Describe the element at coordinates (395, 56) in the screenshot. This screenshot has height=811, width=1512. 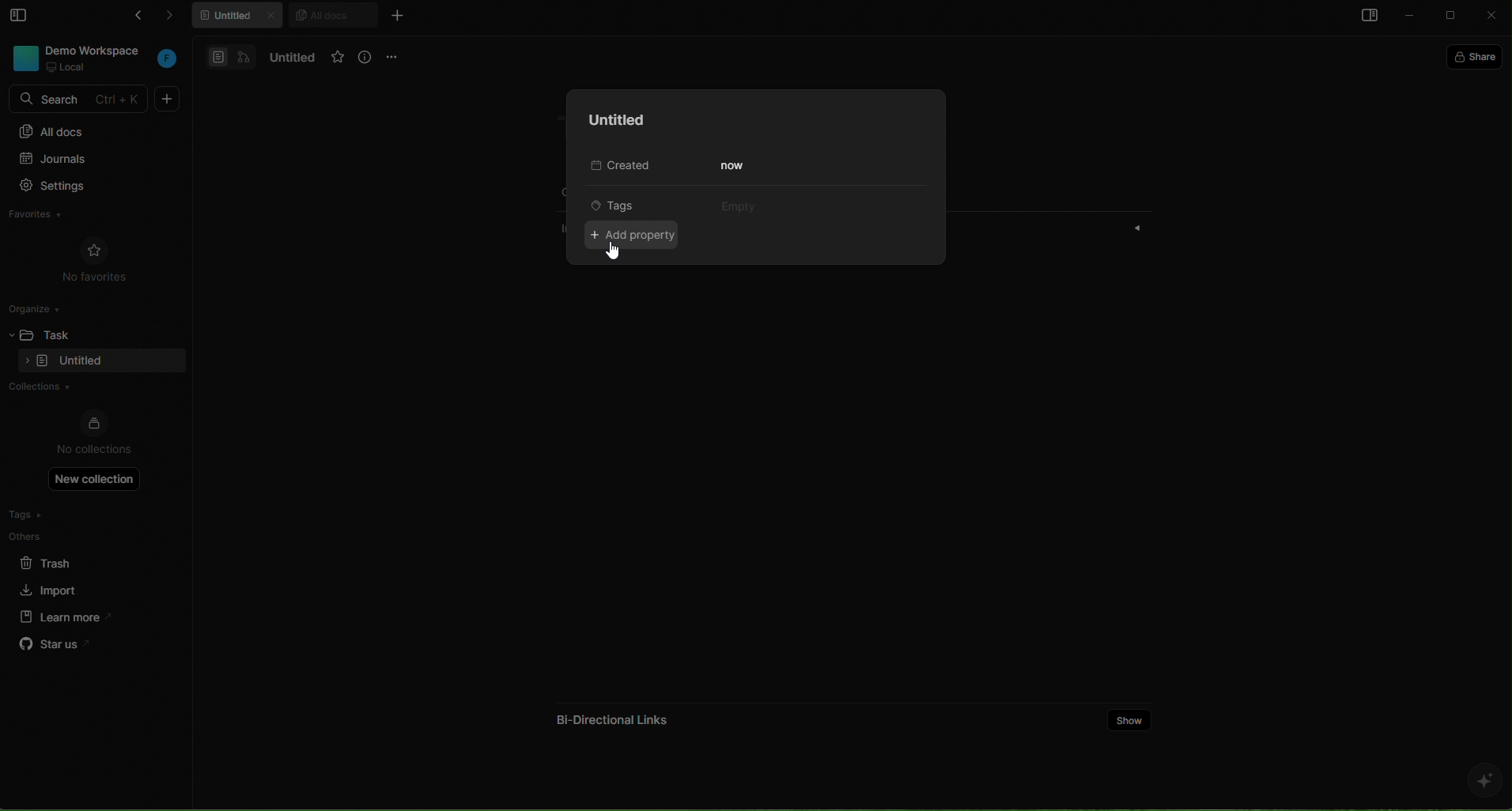
I see `options` at that location.